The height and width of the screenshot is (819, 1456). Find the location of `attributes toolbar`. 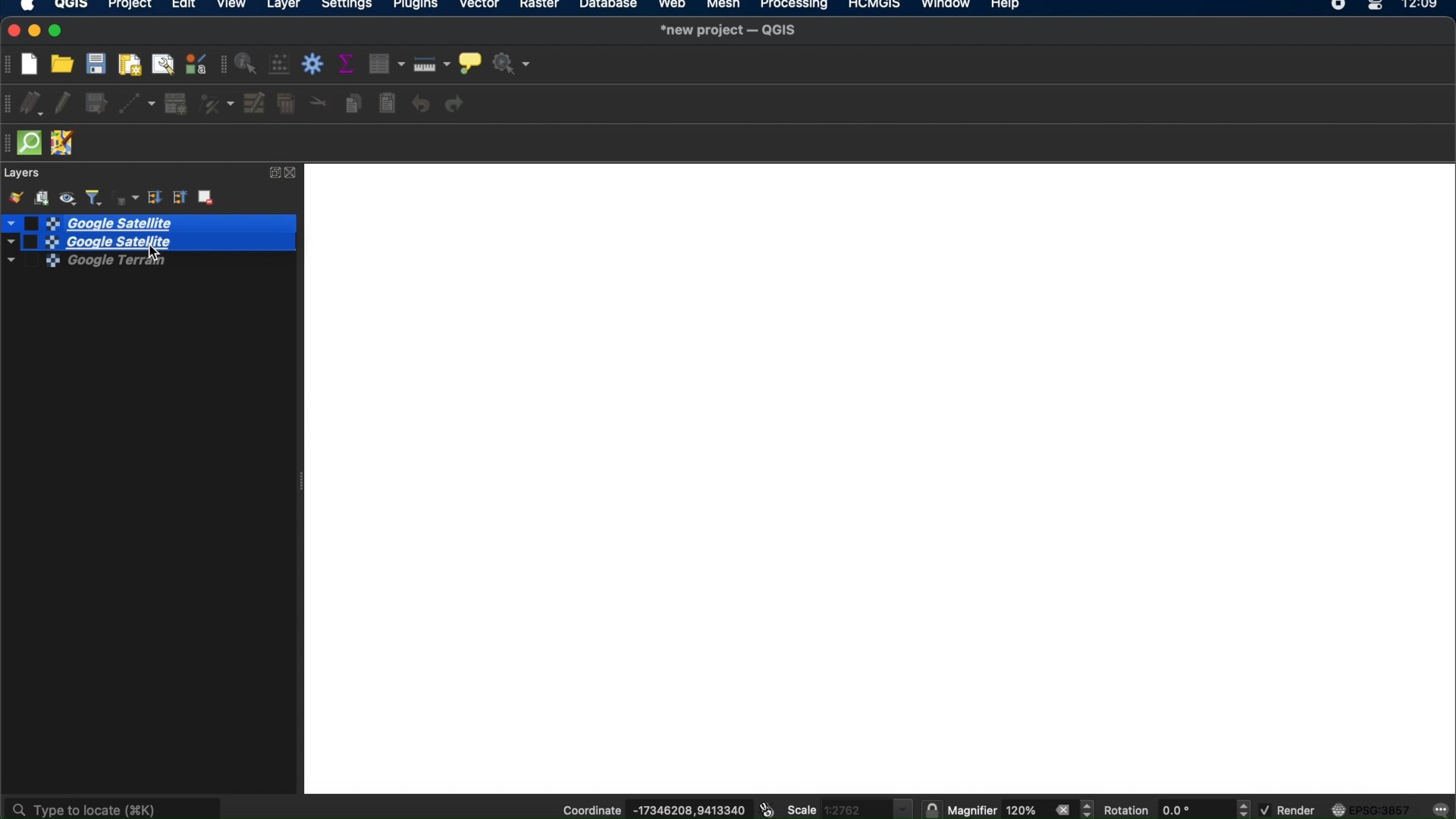

attributes toolbar is located at coordinates (221, 65).